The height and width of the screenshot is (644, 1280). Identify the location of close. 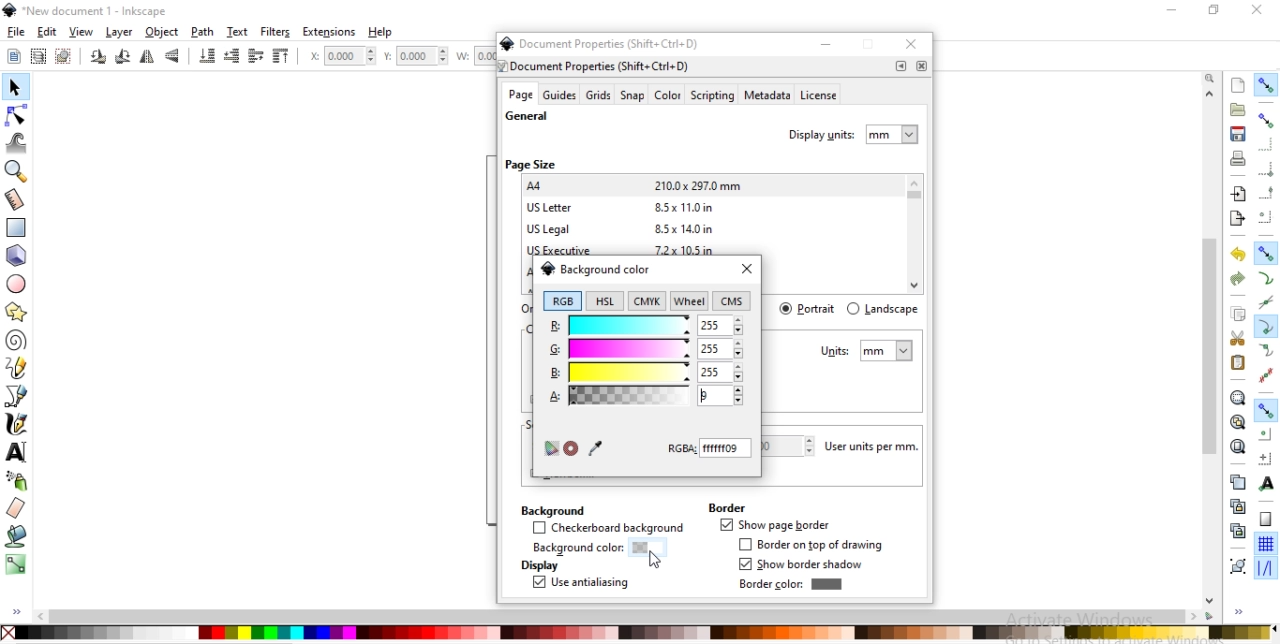
(1258, 10).